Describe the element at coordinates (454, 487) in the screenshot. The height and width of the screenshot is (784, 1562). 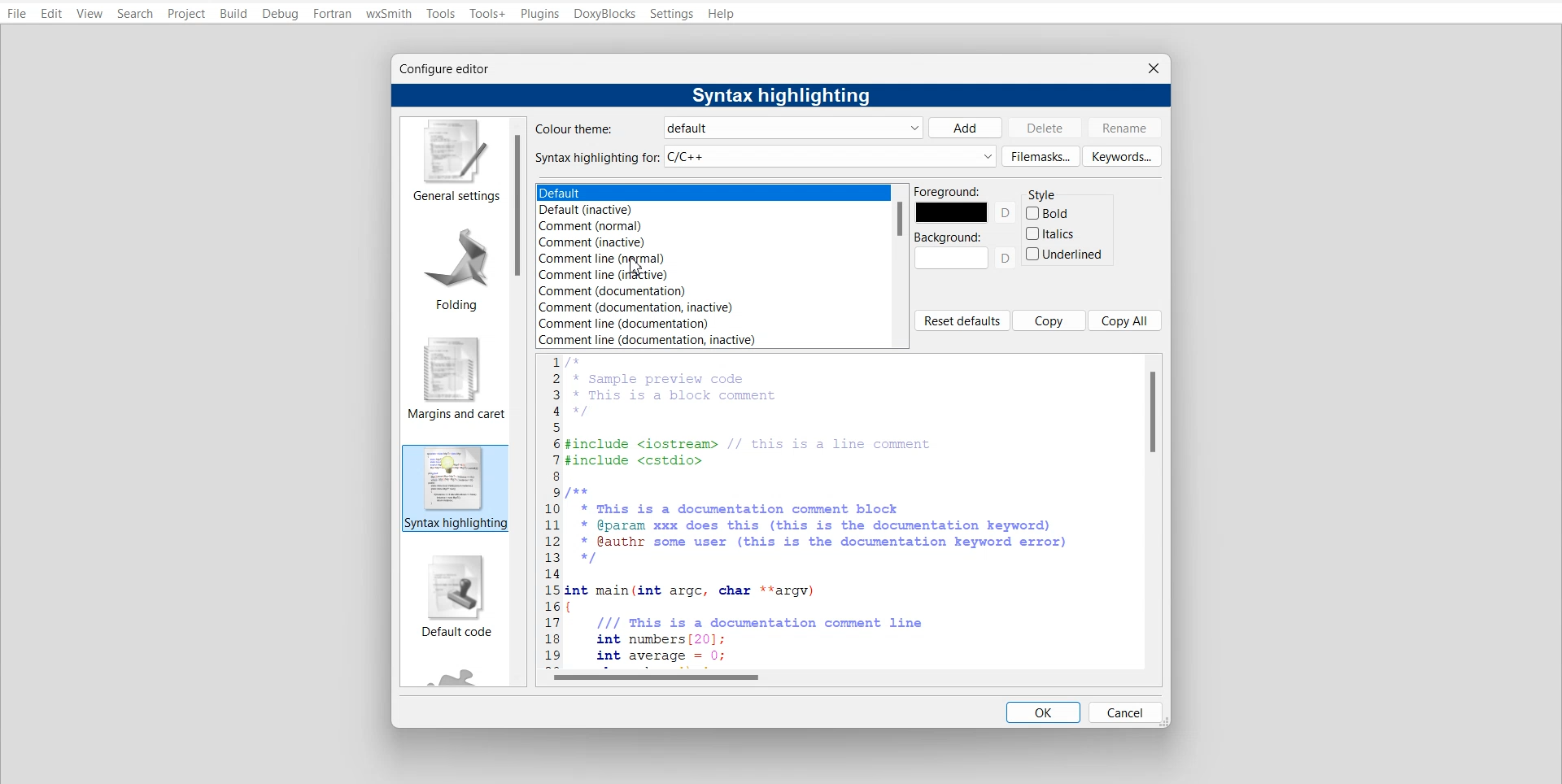
I see `syntax highlighting` at that location.